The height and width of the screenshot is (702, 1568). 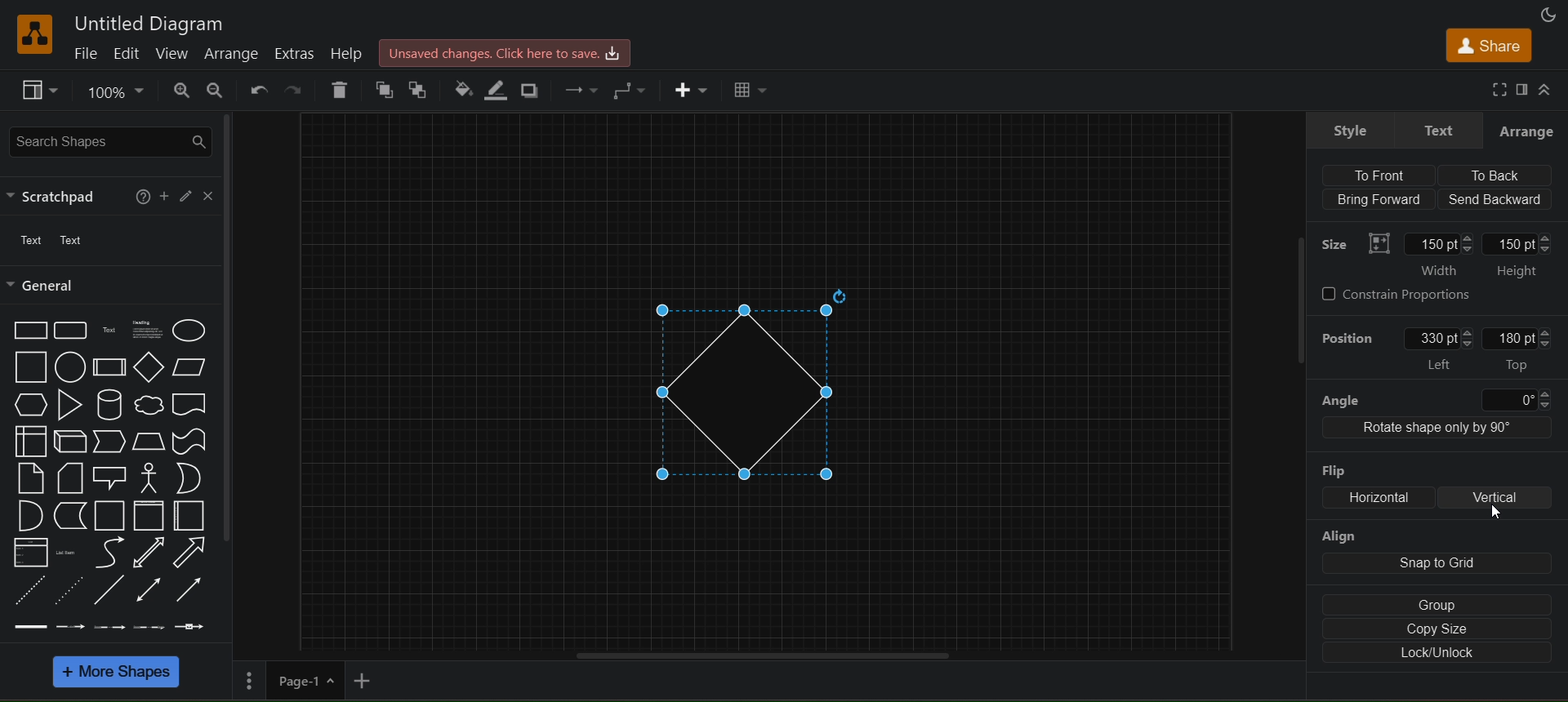 I want to click on zoom in, so click(x=179, y=91).